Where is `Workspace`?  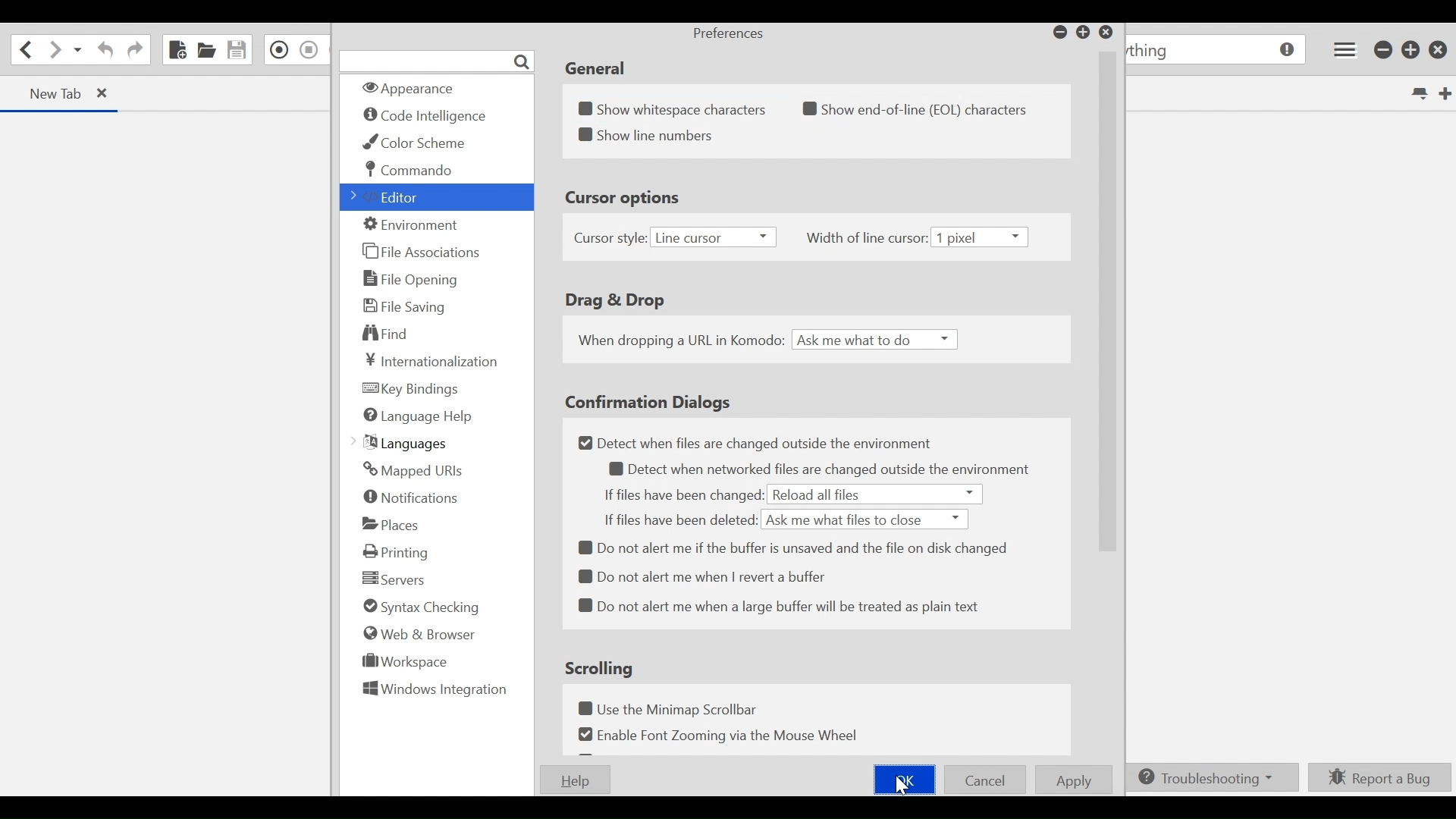 Workspace is located at coordinates (406, 661).